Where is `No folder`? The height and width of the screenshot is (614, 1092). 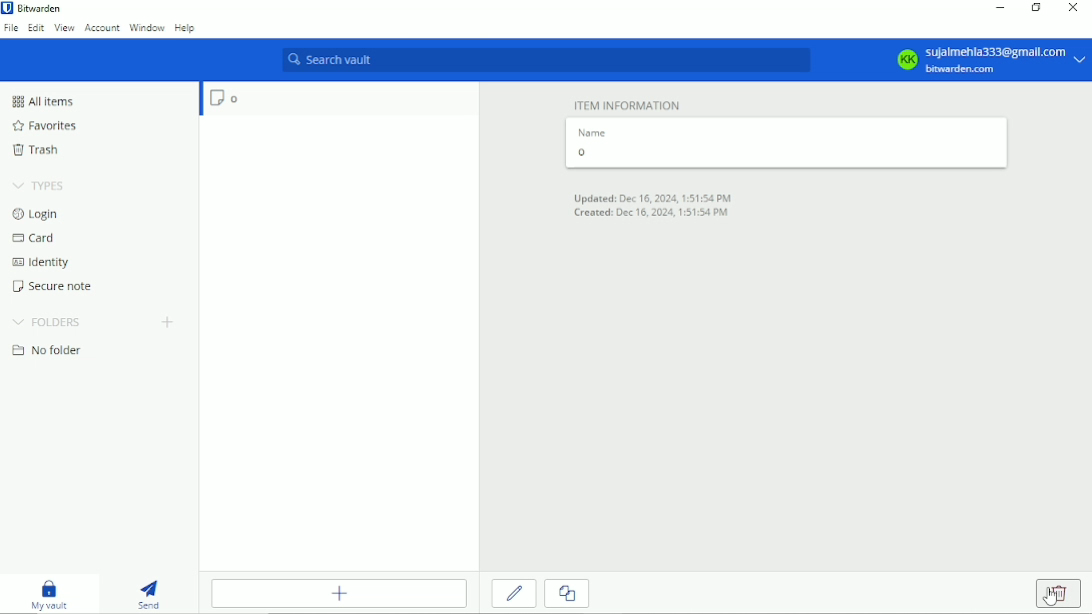 No folder is located at coordinates (45, 351).